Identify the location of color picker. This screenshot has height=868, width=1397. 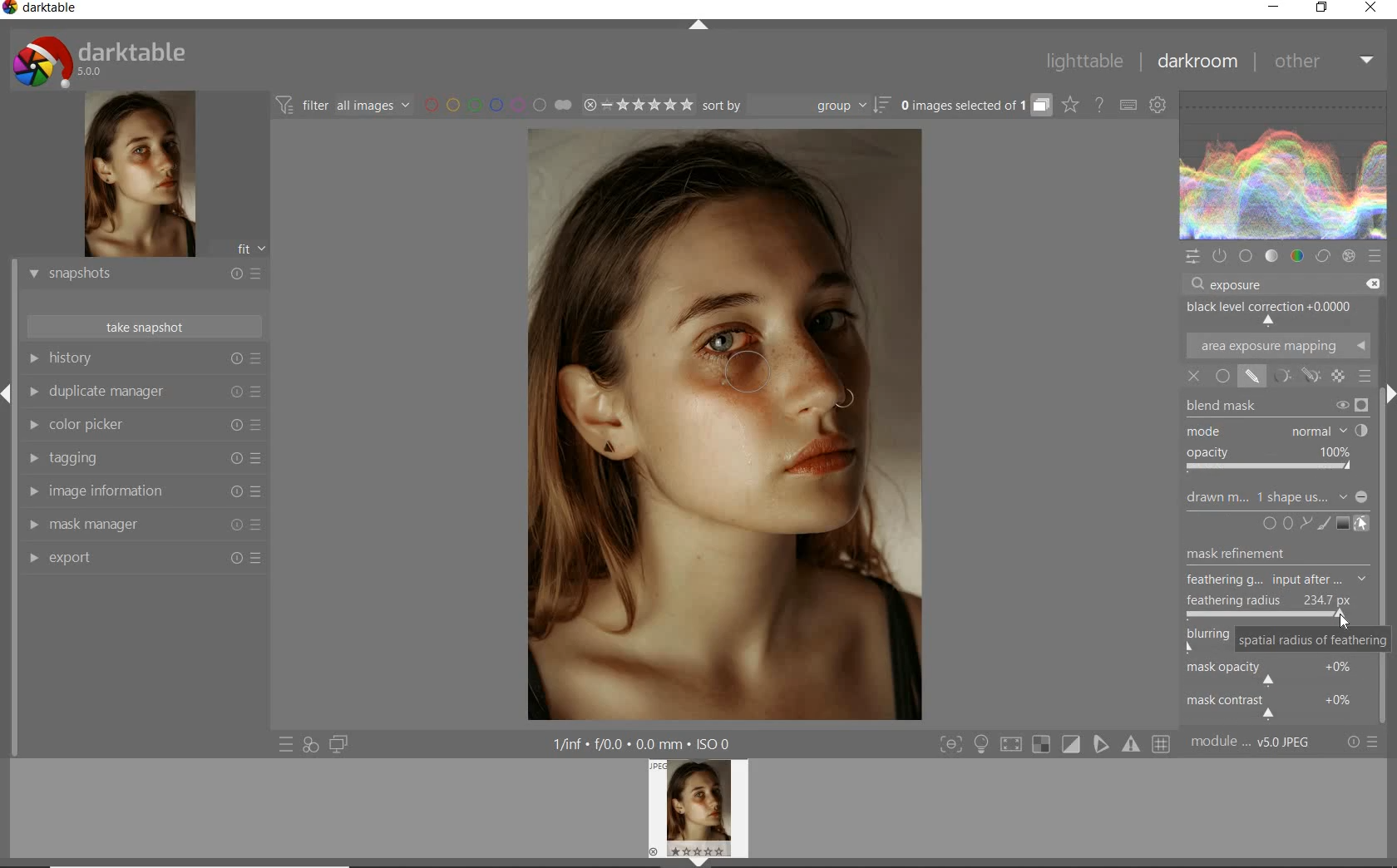
(143, 426).